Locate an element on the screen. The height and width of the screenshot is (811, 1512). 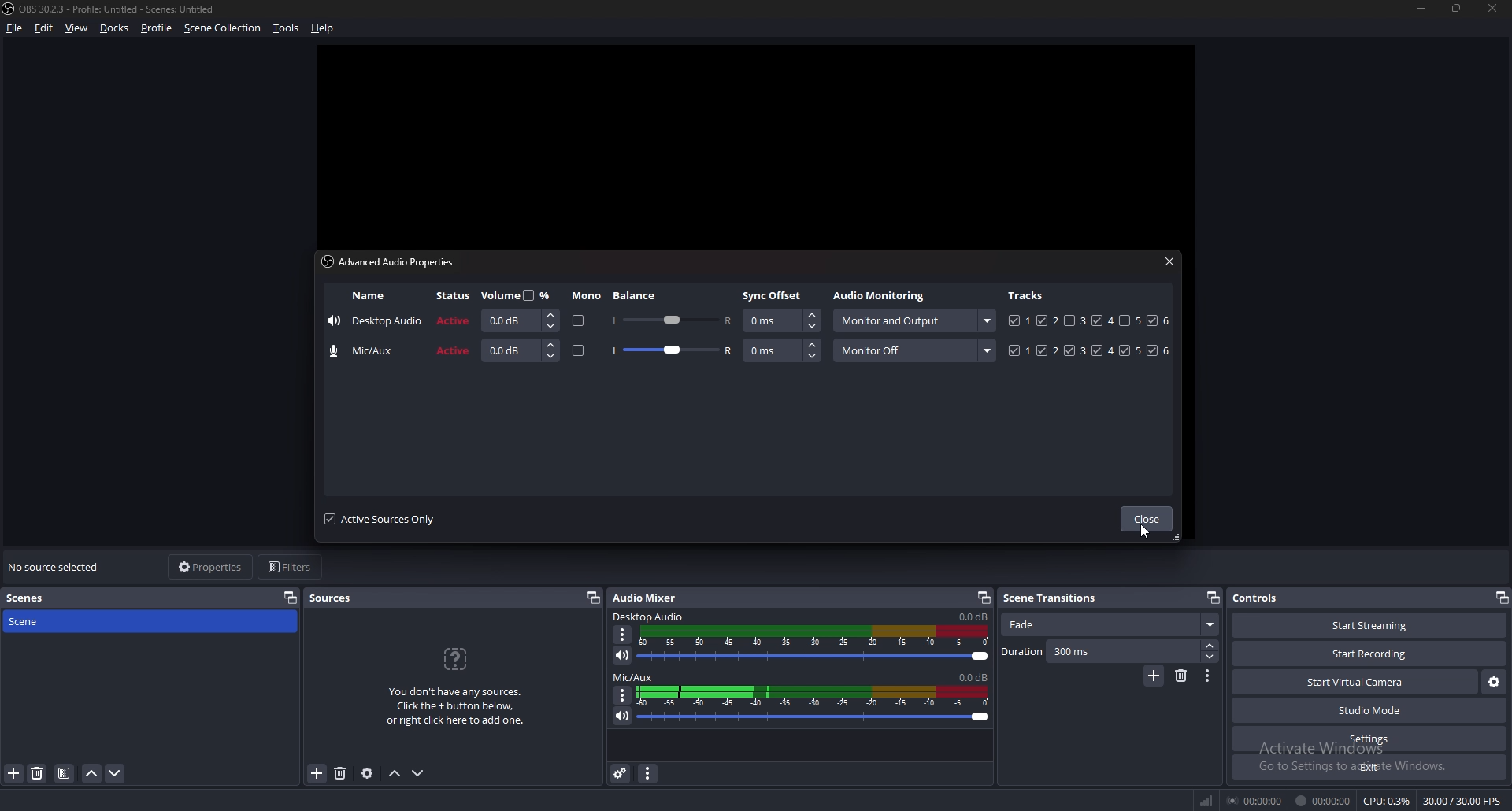
filters is located at coordinates (293, 567).